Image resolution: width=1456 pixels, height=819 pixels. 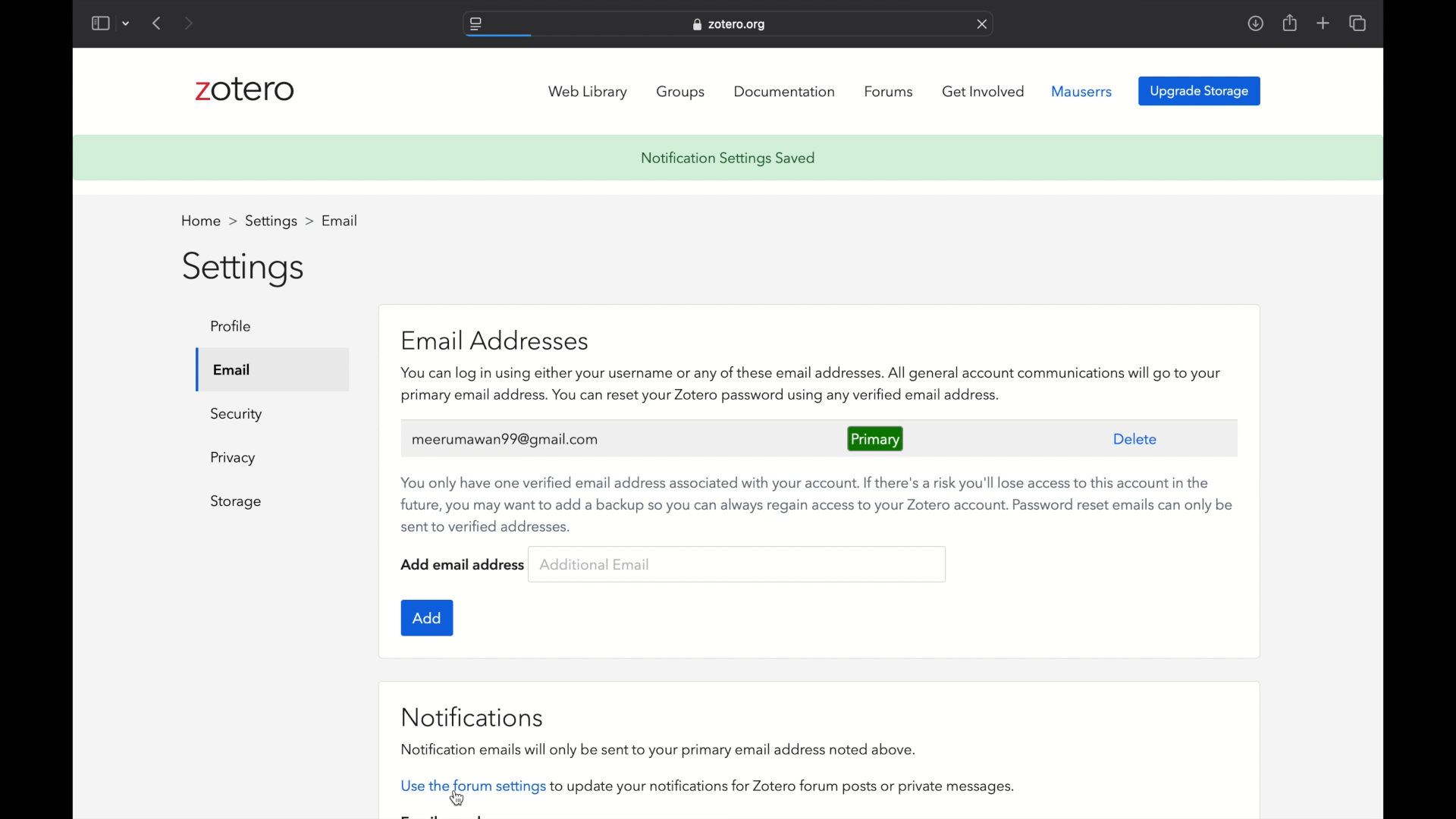 What do you see at coordinates (811, 384) in the screenshot?
I see `zotero features associated with email address` at bounding box center [811, 384].